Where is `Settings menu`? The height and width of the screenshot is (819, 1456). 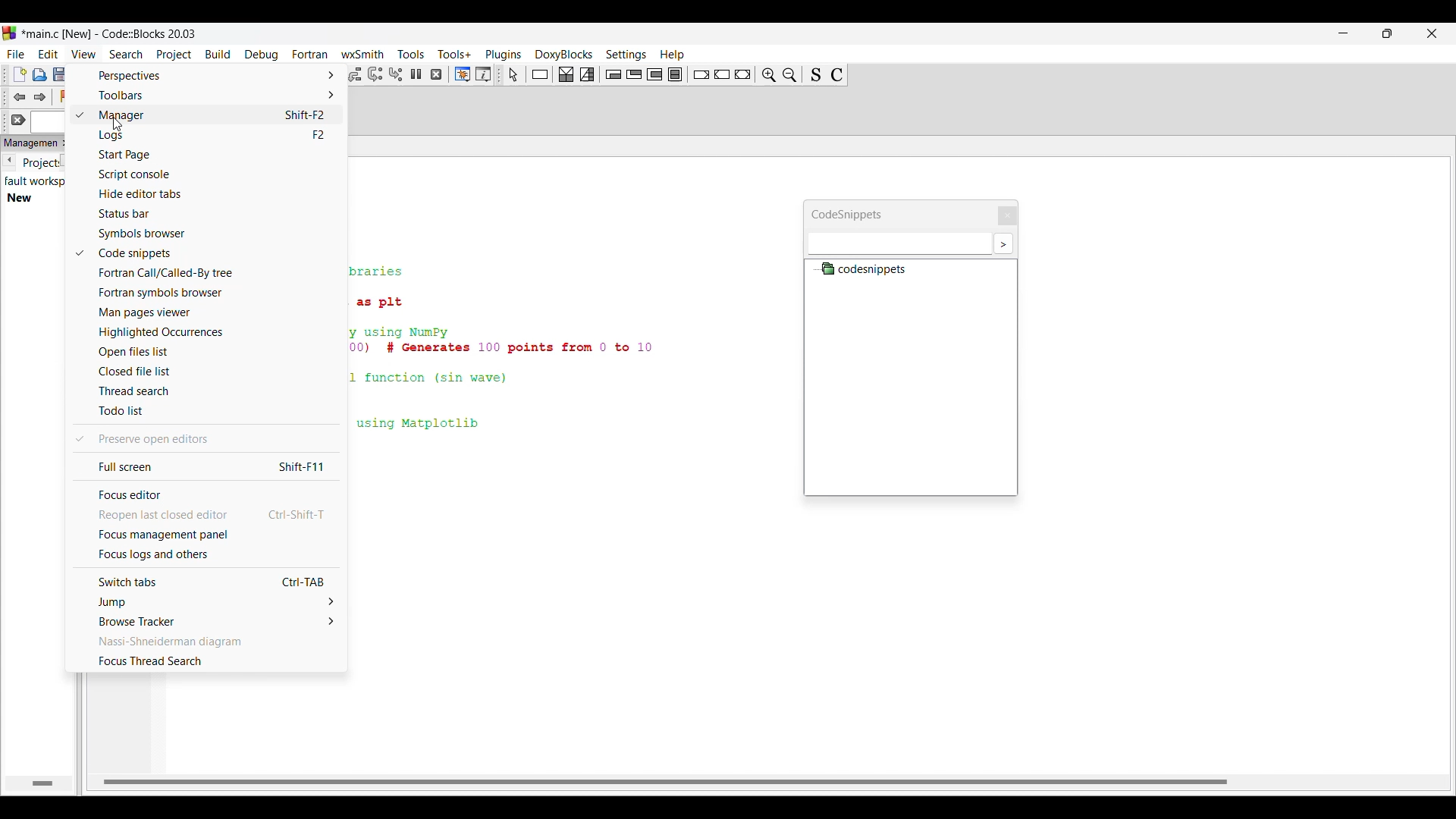
Settings menu is located at coordinates (626, 55).